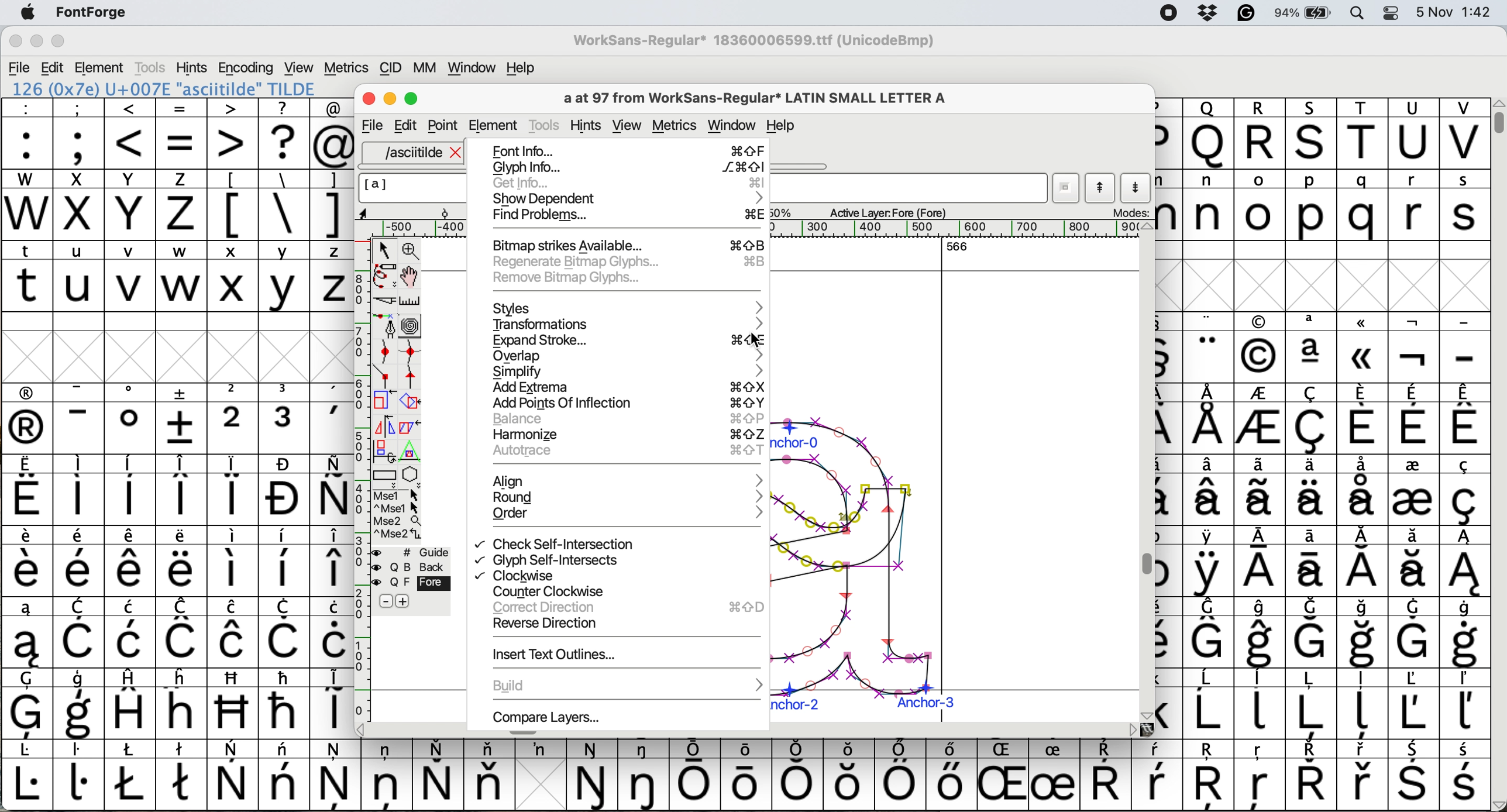 The width and height of the screenshot is (1507, 812). What do you see at coordinates (626, 357) in the screenshot?
I see `overlap` at bounding box center [626, 357].